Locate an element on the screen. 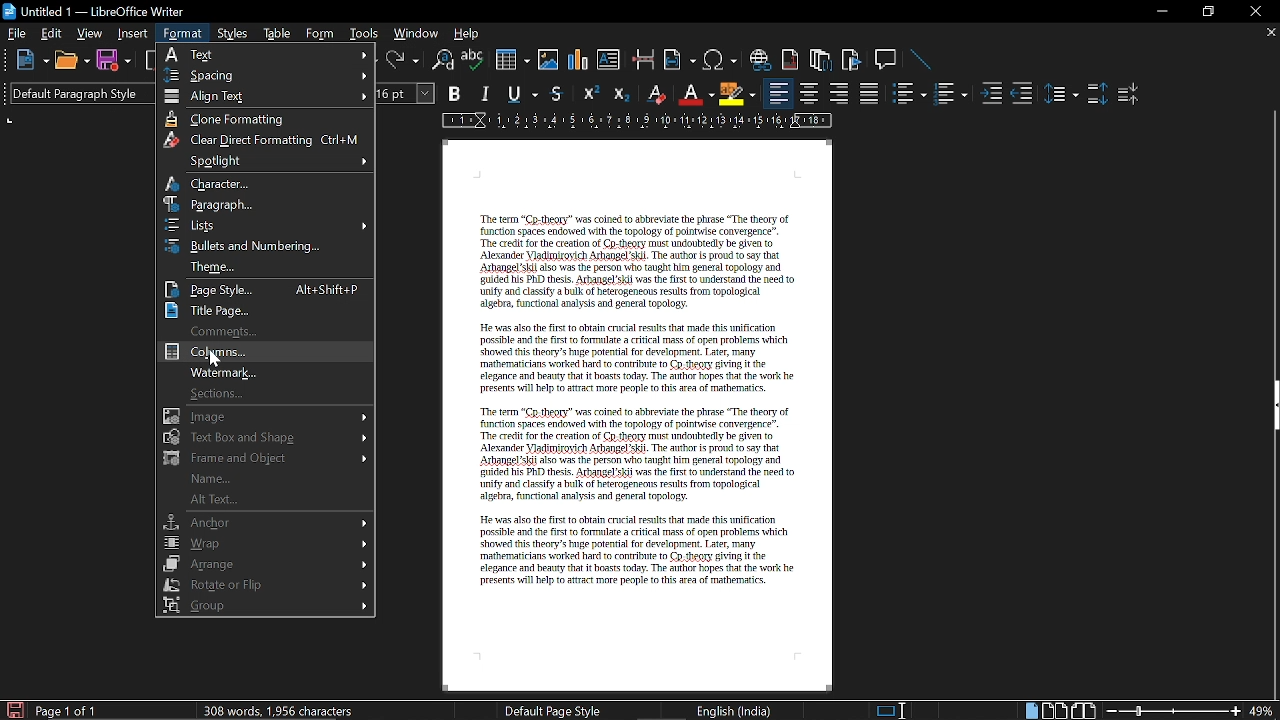 The height and width of the screenshot is (720, 1280). Close is located at coordinates (1257, 13).